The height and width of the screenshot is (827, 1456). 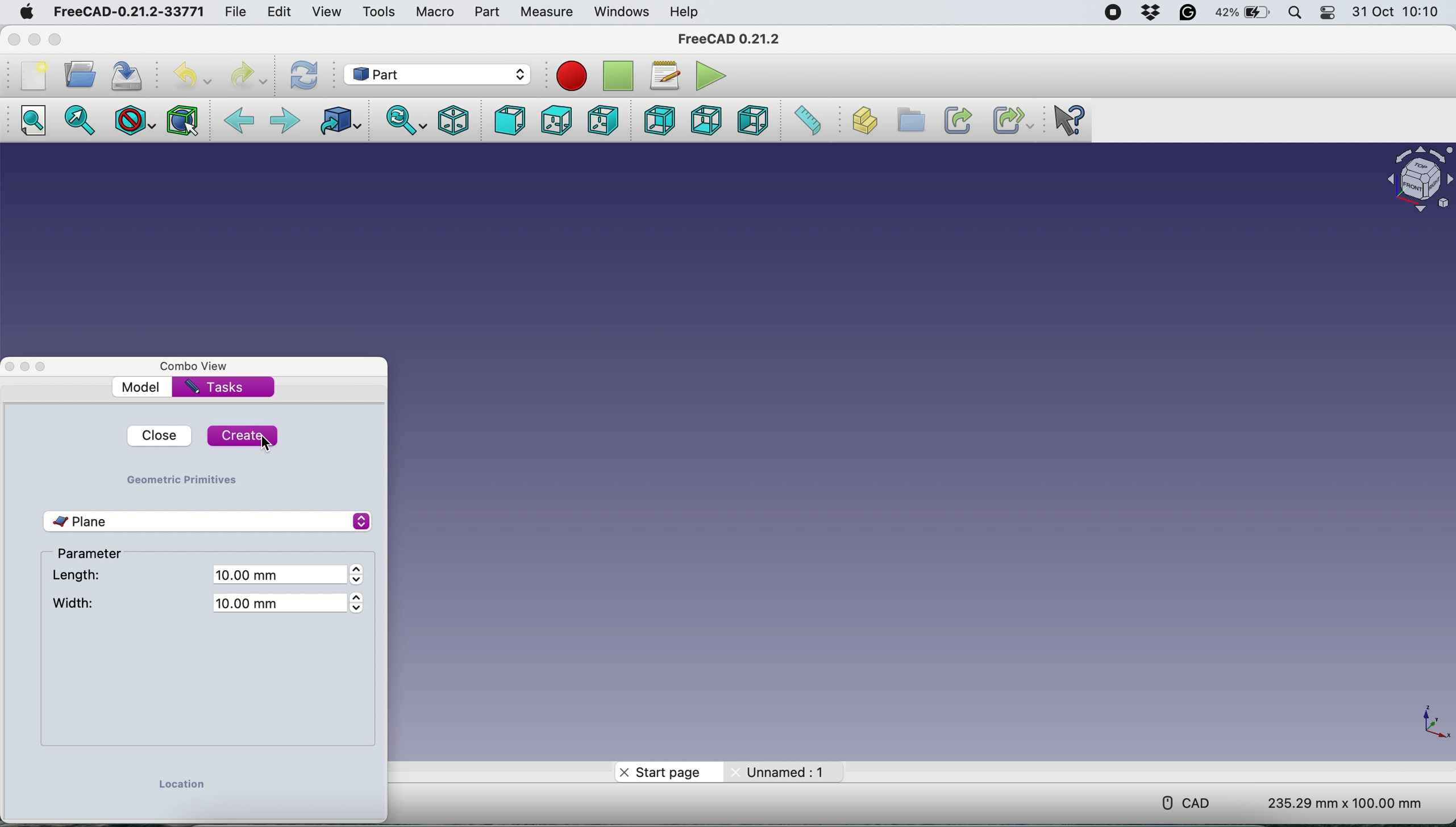 I want to click on geometric primitives, so click(x=181, y=479).